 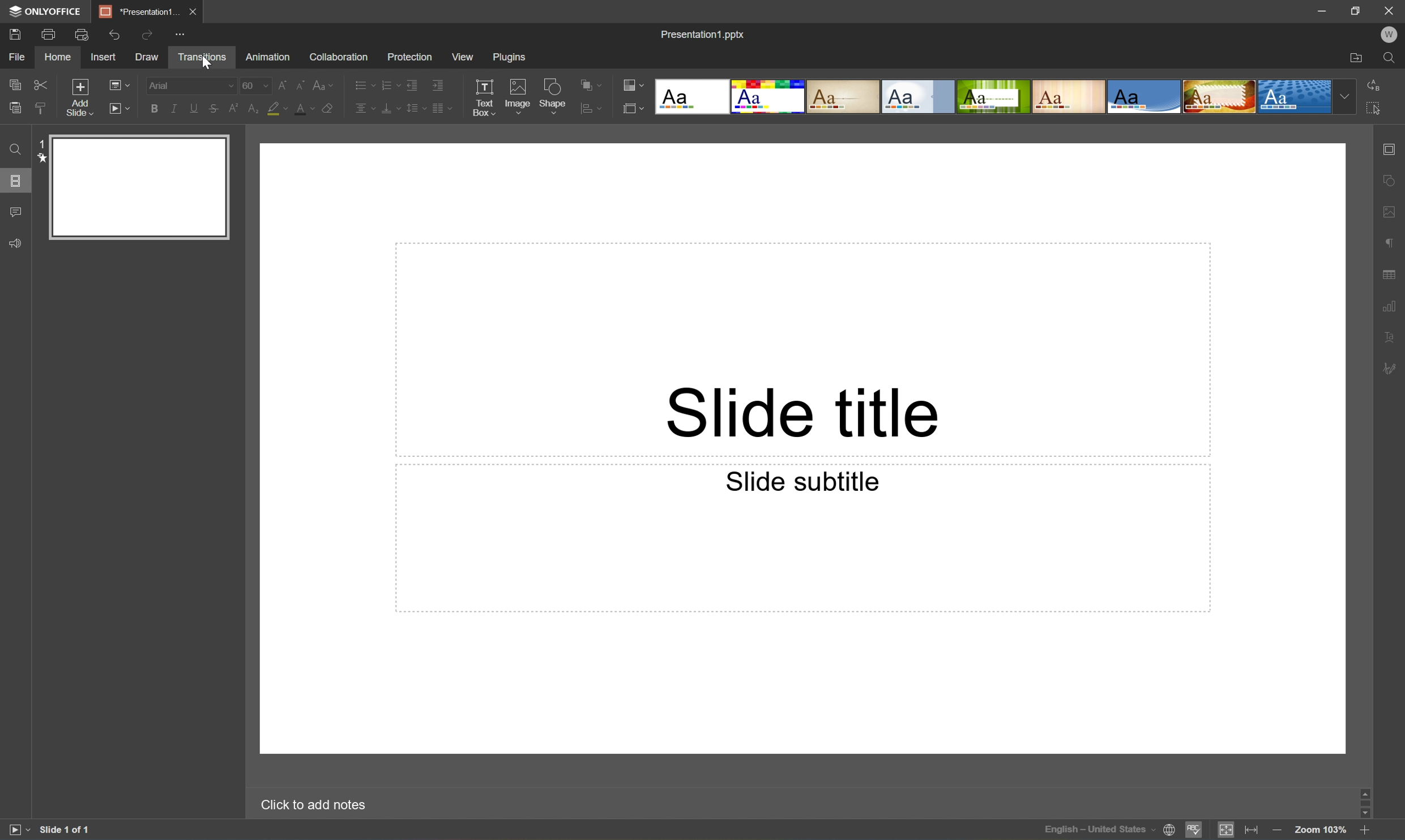 What do you see at coordinates (439, 85) in the screenshot?
I see `Increase indent` at bounding box center [439, 85].